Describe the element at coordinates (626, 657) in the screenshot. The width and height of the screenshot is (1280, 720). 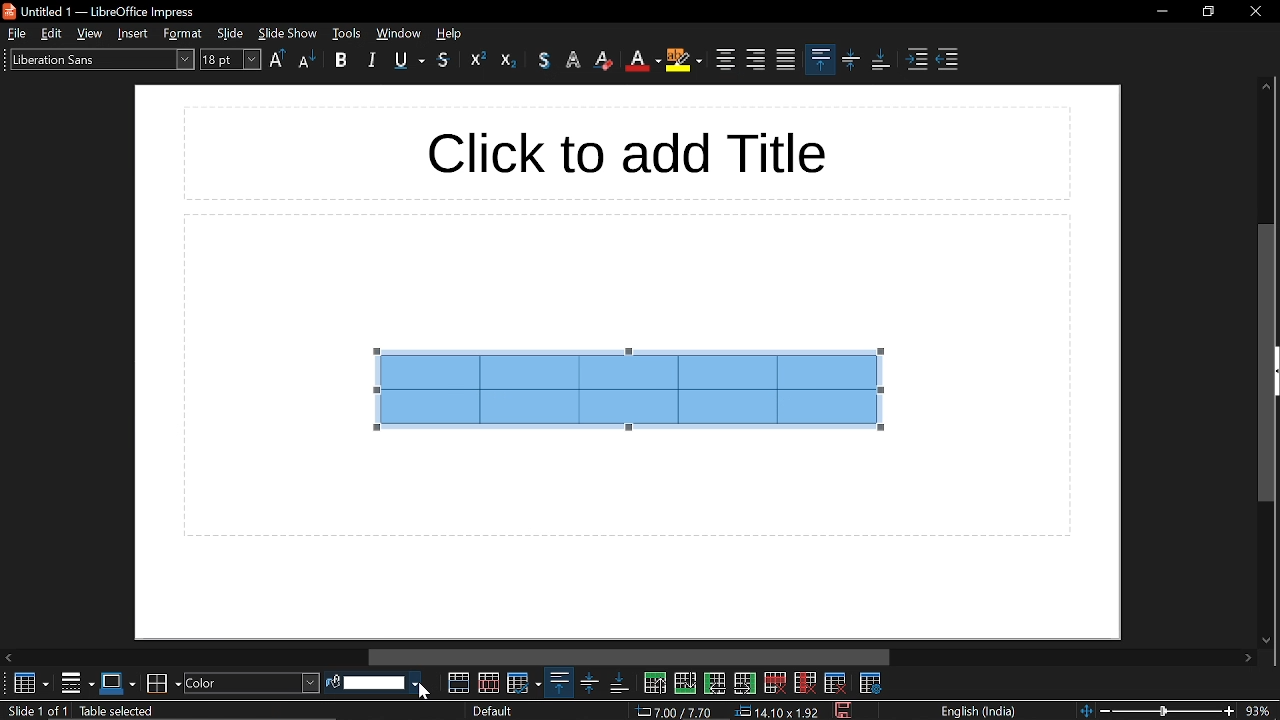
I see `horizontal scrollbar` at that location.